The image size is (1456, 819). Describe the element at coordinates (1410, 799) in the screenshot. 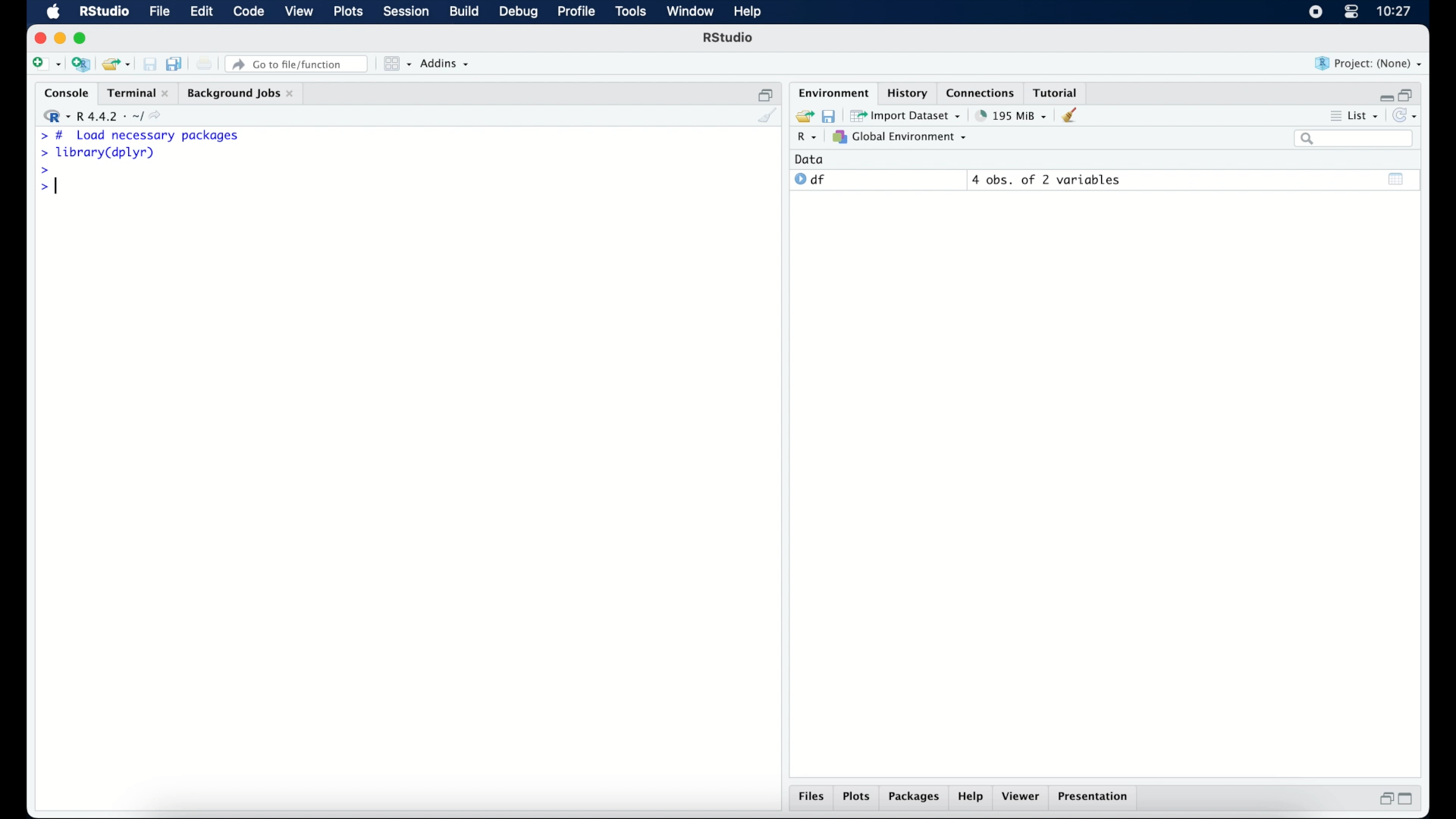

I see `maximize` at that location.